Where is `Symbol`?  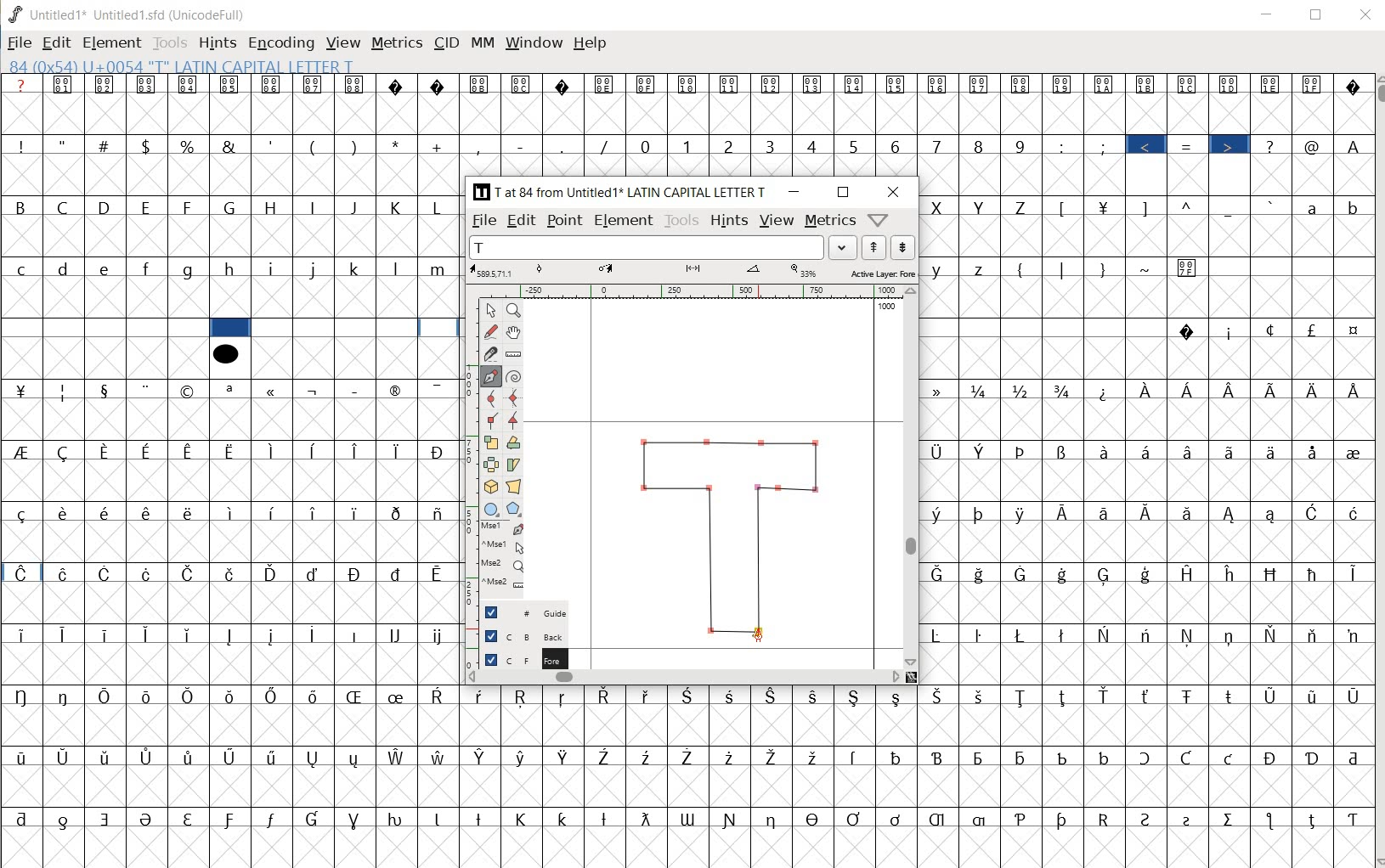 Symbol is located at coordinates (1313, 757).